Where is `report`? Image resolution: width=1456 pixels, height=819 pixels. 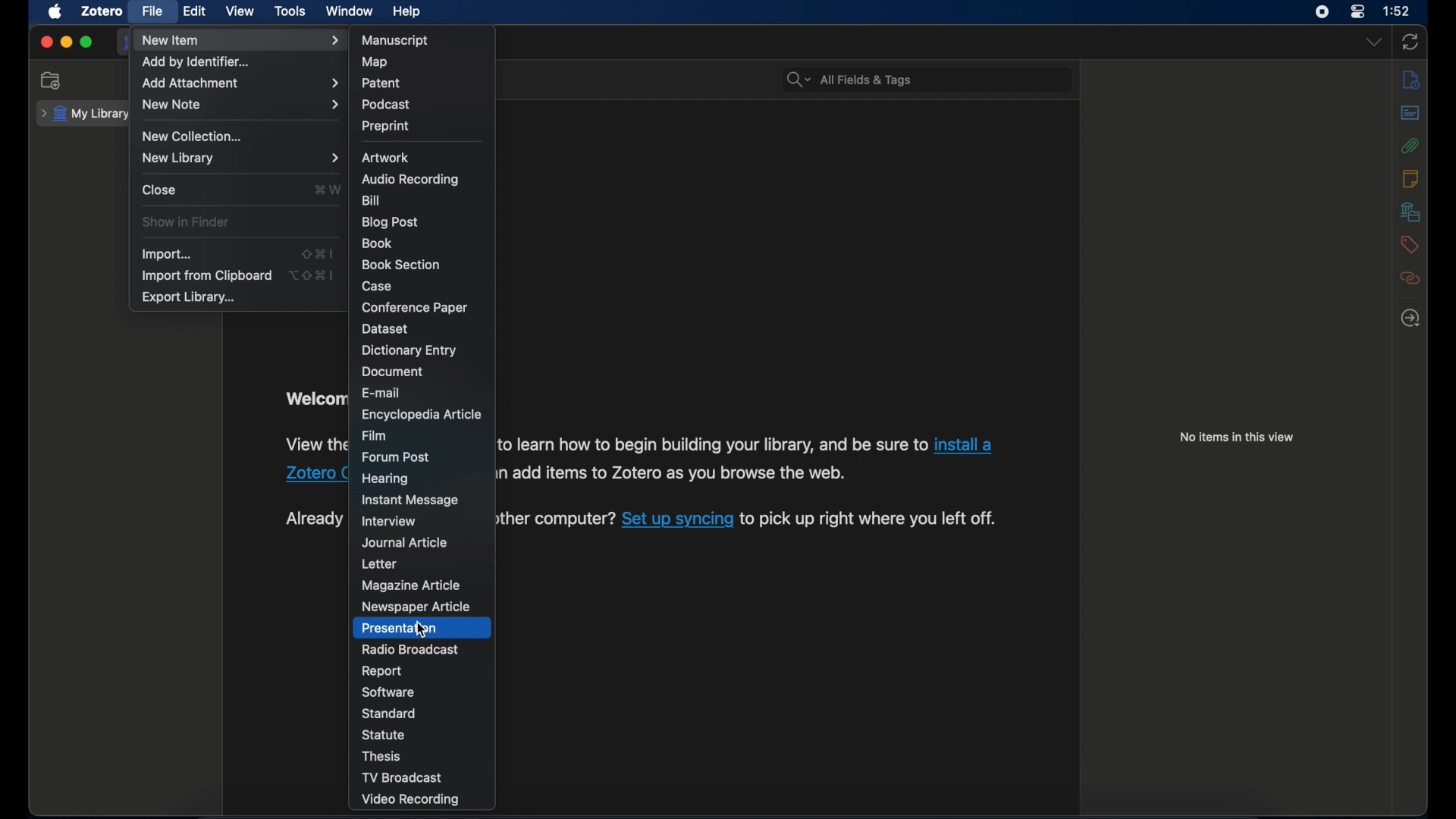
report is located at coordinates (383, 672).